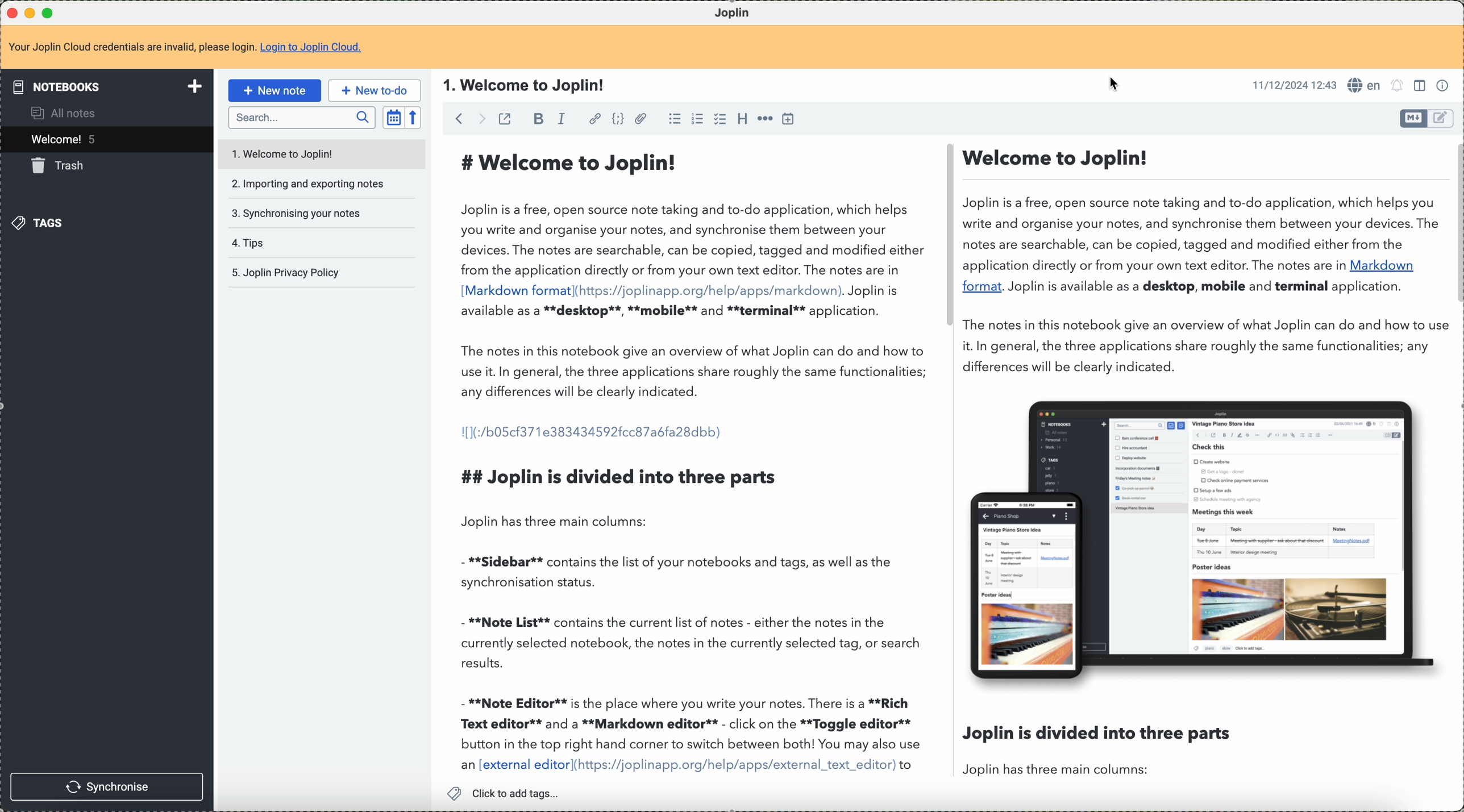 This screenshot has height=812, width=1464. I want to click on toggle editor, so click(1413, 118).